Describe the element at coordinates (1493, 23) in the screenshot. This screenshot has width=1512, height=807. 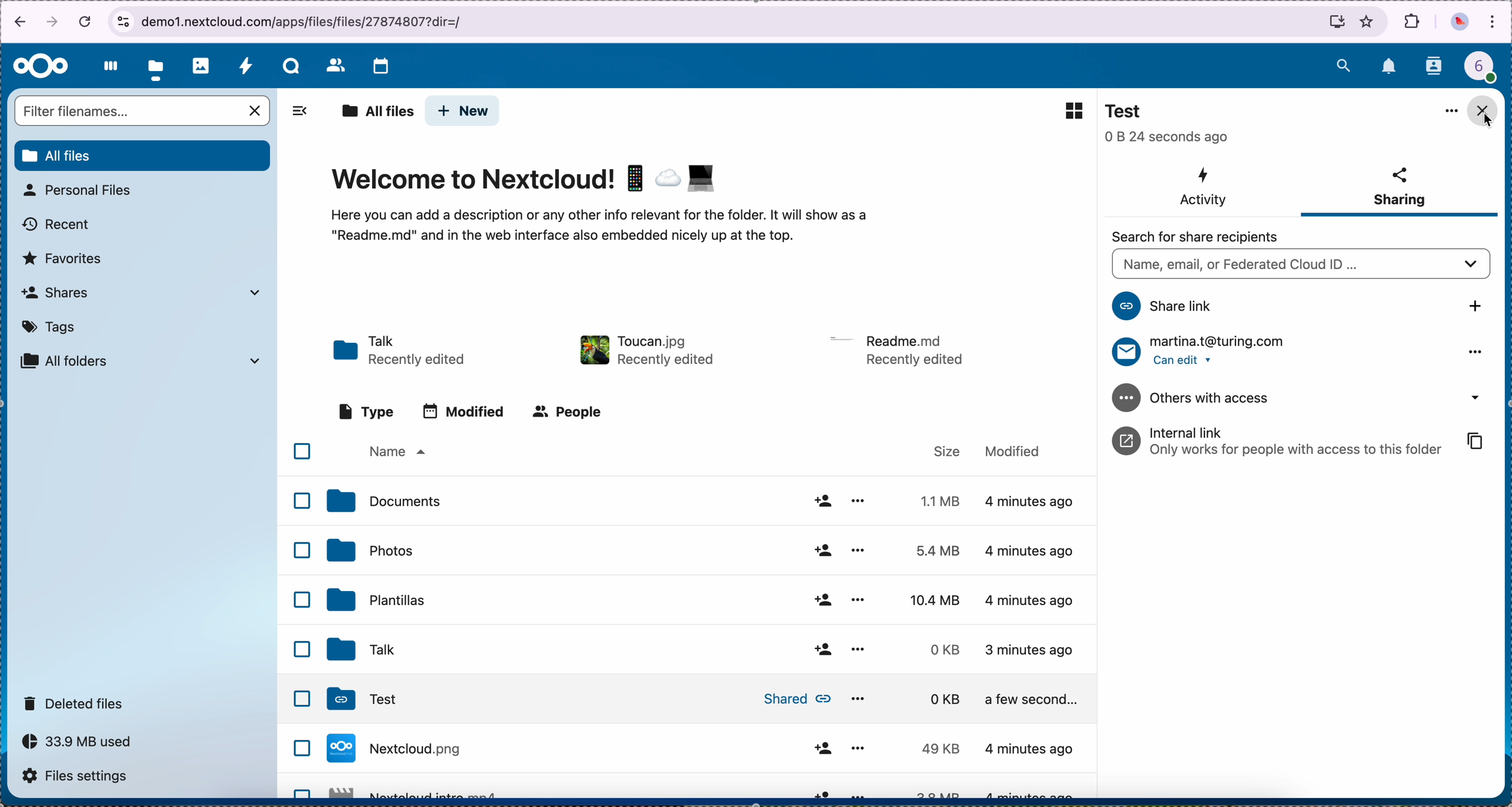
I see `customize and control Google Chrome` at that location.